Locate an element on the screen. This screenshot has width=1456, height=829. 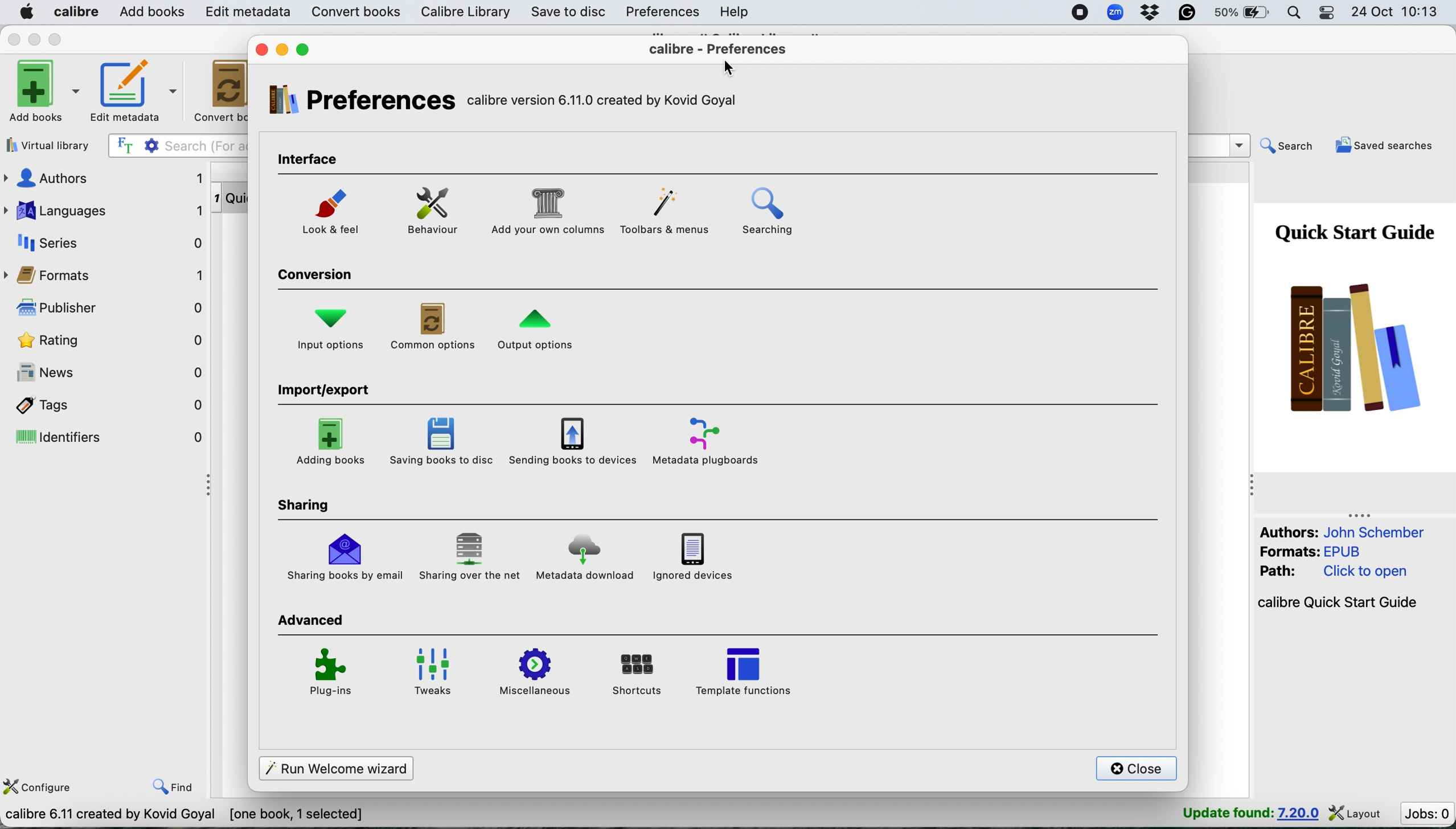
toolbars and menus is located at coordinates (665, 213).